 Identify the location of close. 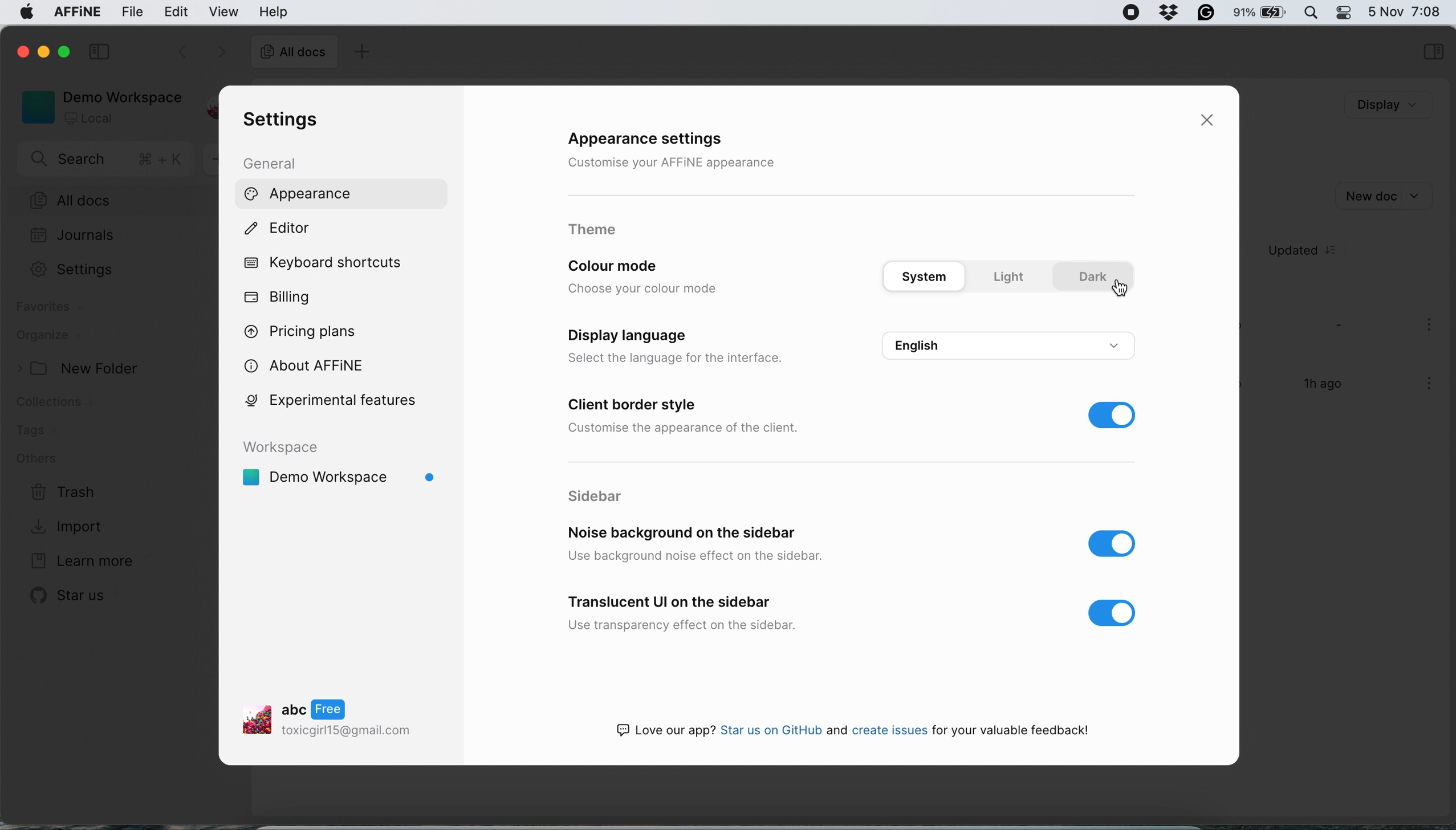
(1208, 122).